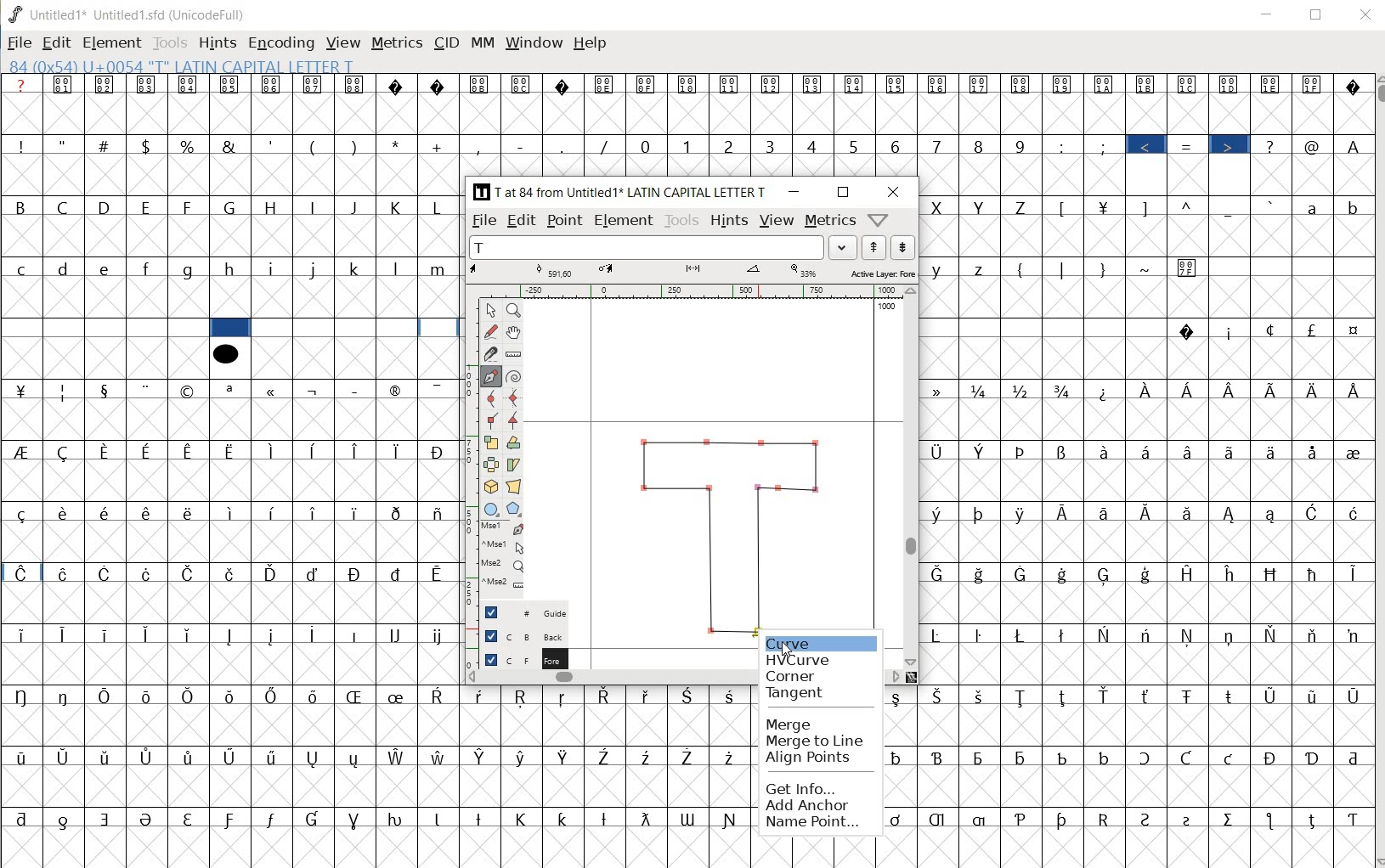 The height and width of the screenshot is (868, 1385). What do you see at coordinates (981, 269) in the screenshot?
I see `z` at bounding box center [981, 269].